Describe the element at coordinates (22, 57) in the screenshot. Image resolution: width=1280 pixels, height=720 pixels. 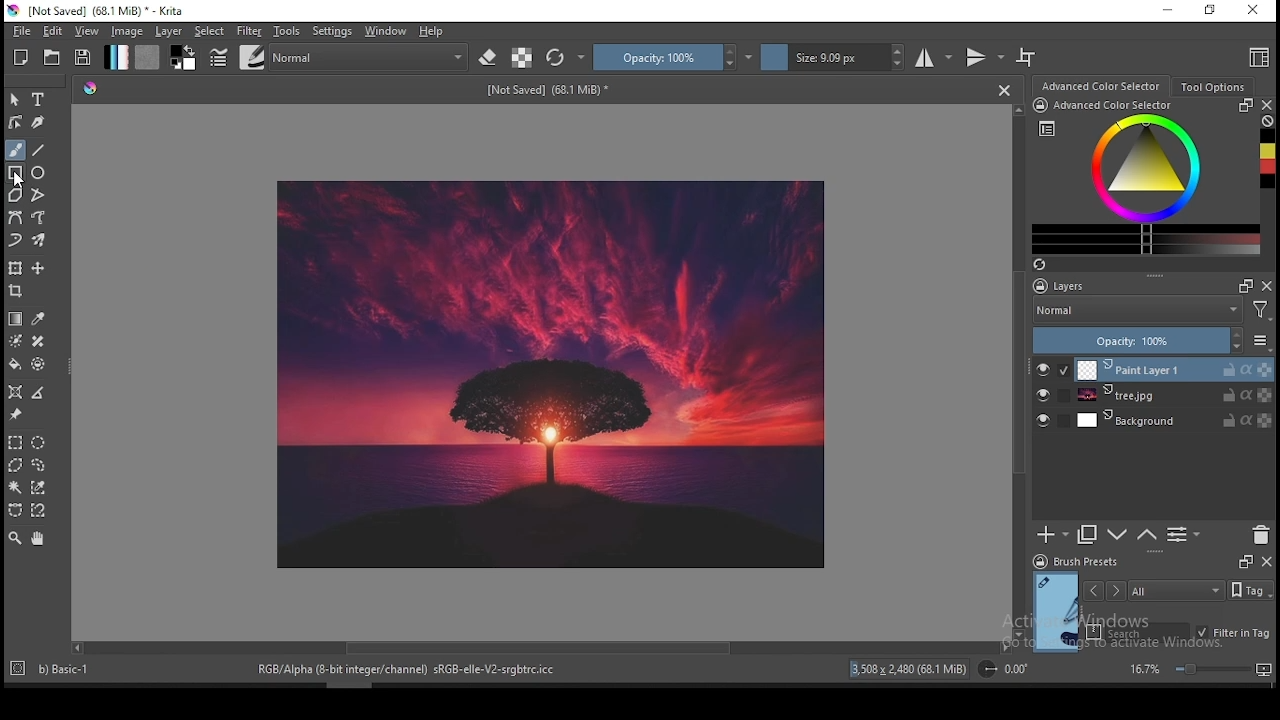
I see `new` at that location.